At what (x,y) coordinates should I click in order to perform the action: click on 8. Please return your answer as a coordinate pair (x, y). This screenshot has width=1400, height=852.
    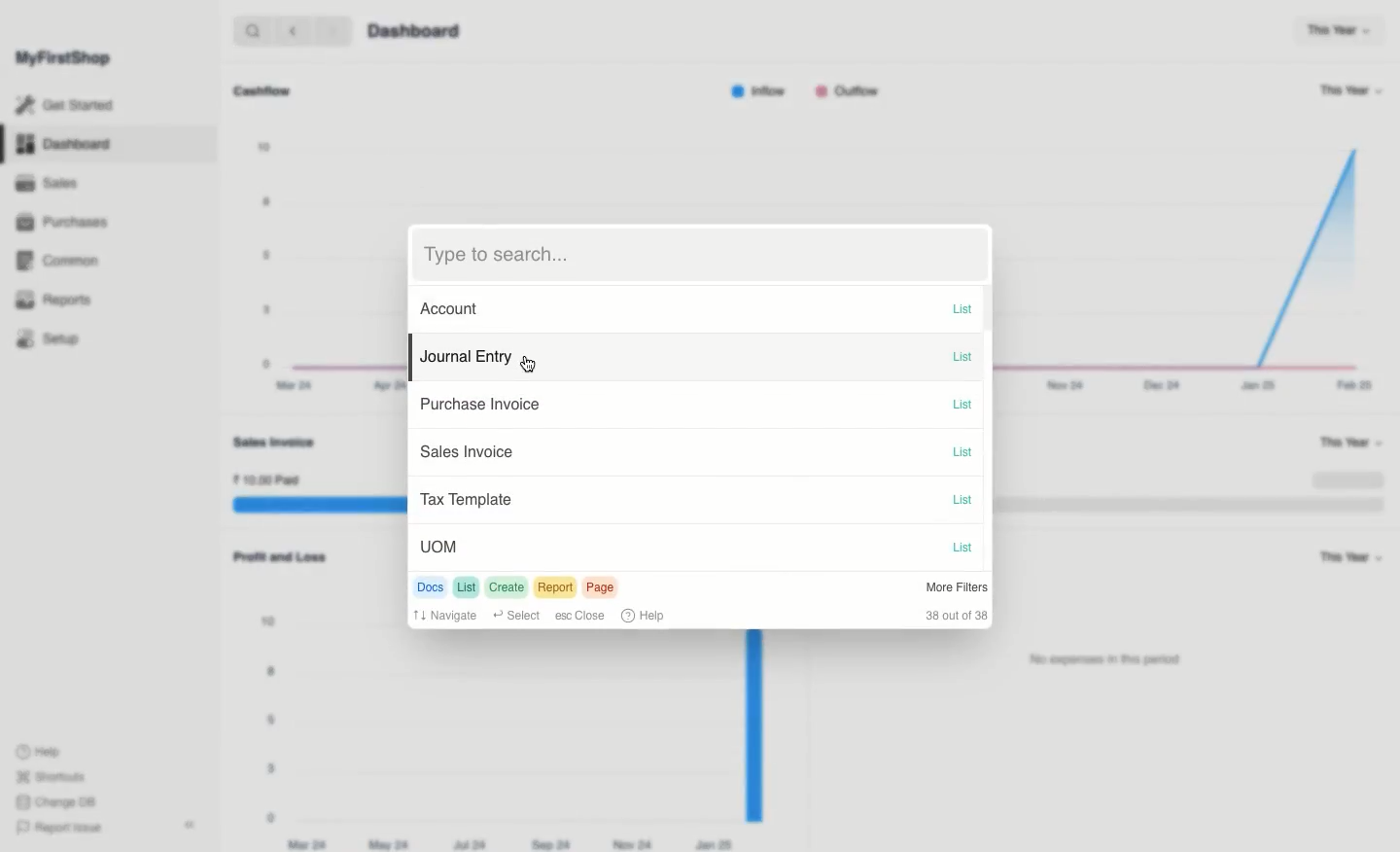
    Looking at the image, I should click on (268, 200).